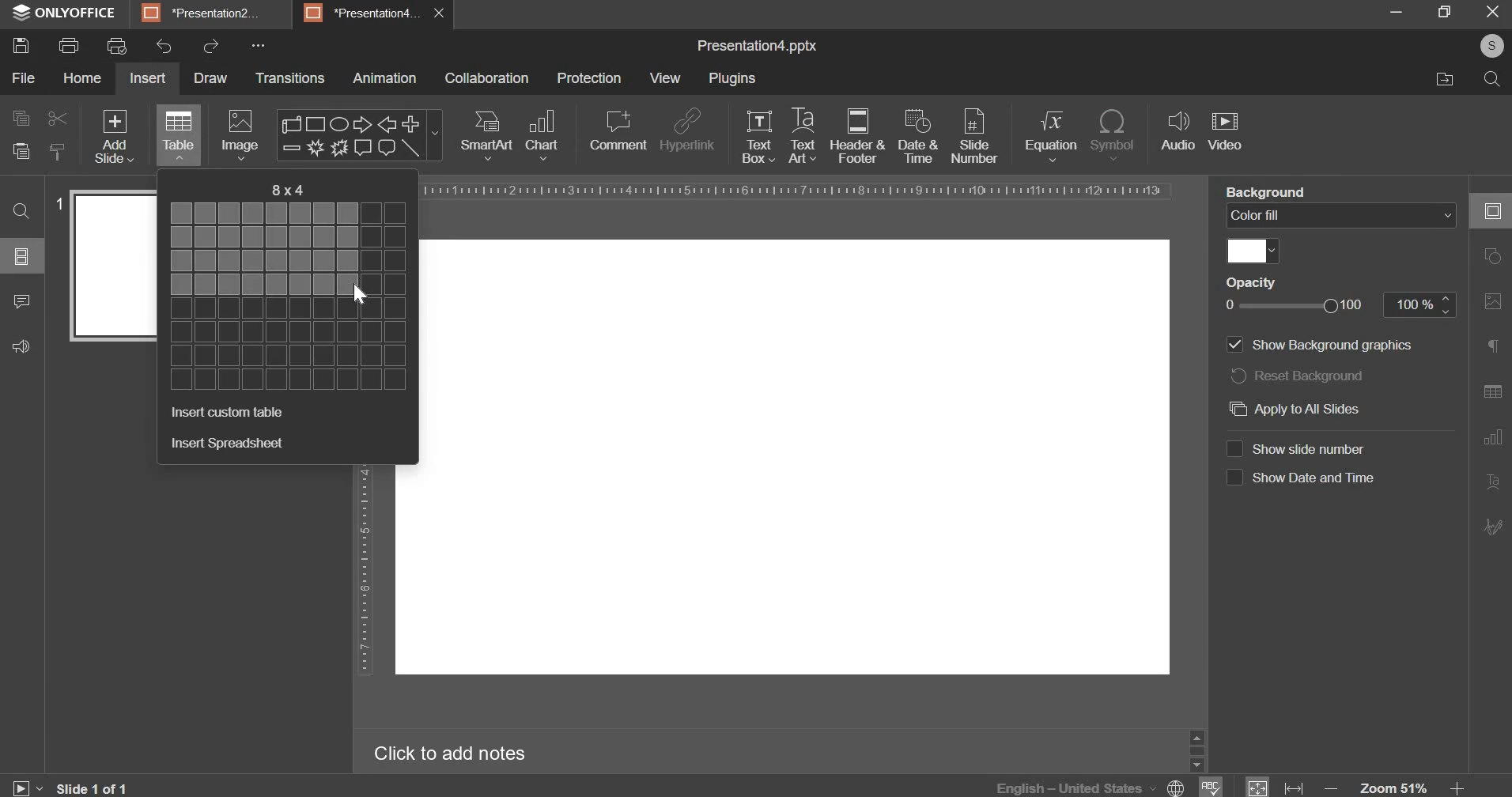 This screenshot has height=797, width=1512. I want to click on copy style, so click(62, 150).